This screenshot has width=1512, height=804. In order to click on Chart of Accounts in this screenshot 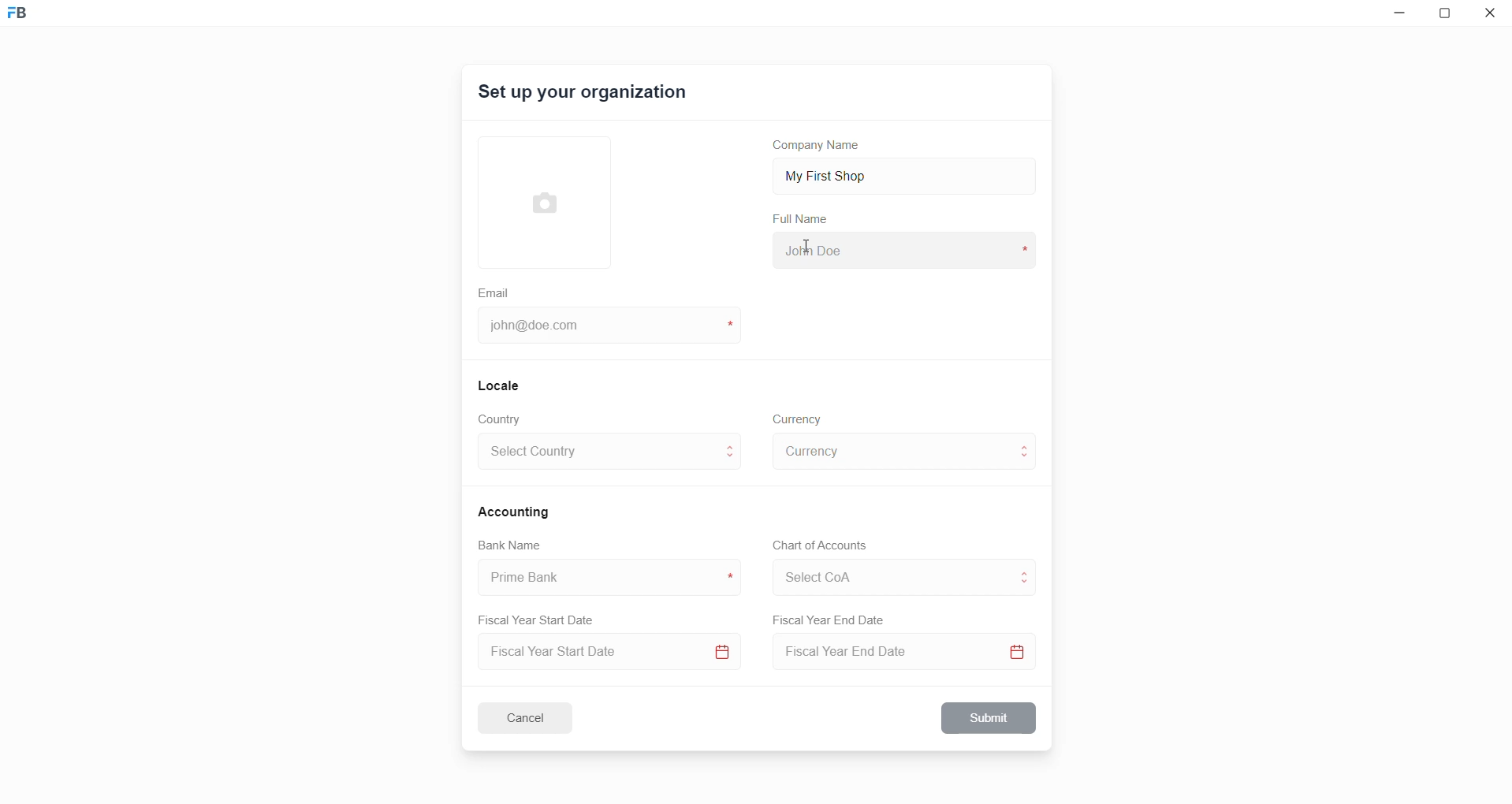, I will do `click(815, 545)`.